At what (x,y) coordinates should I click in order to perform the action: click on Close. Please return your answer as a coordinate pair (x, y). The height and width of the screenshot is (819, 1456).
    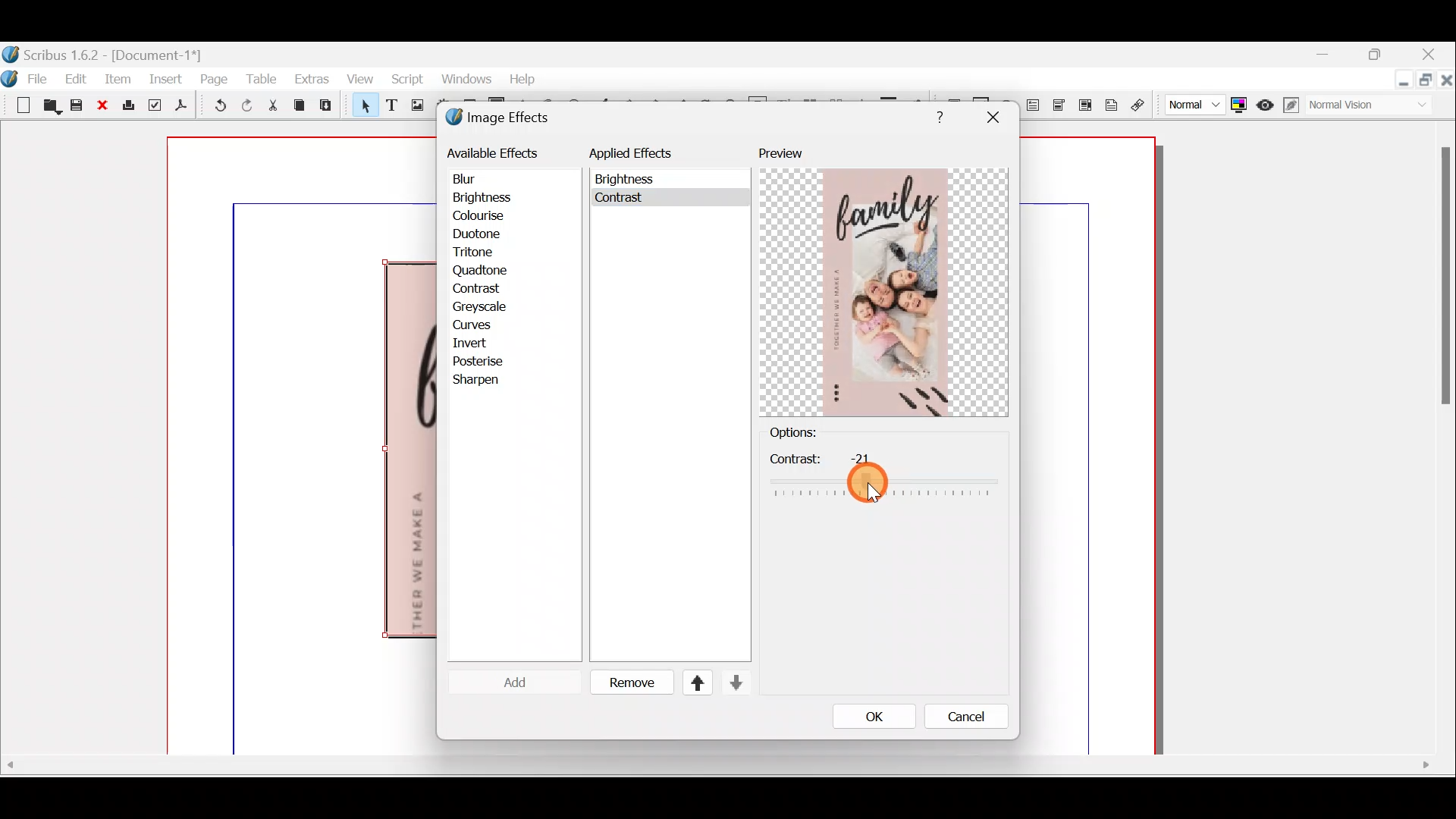
    Looking at the image, I should click on (1430, 56).